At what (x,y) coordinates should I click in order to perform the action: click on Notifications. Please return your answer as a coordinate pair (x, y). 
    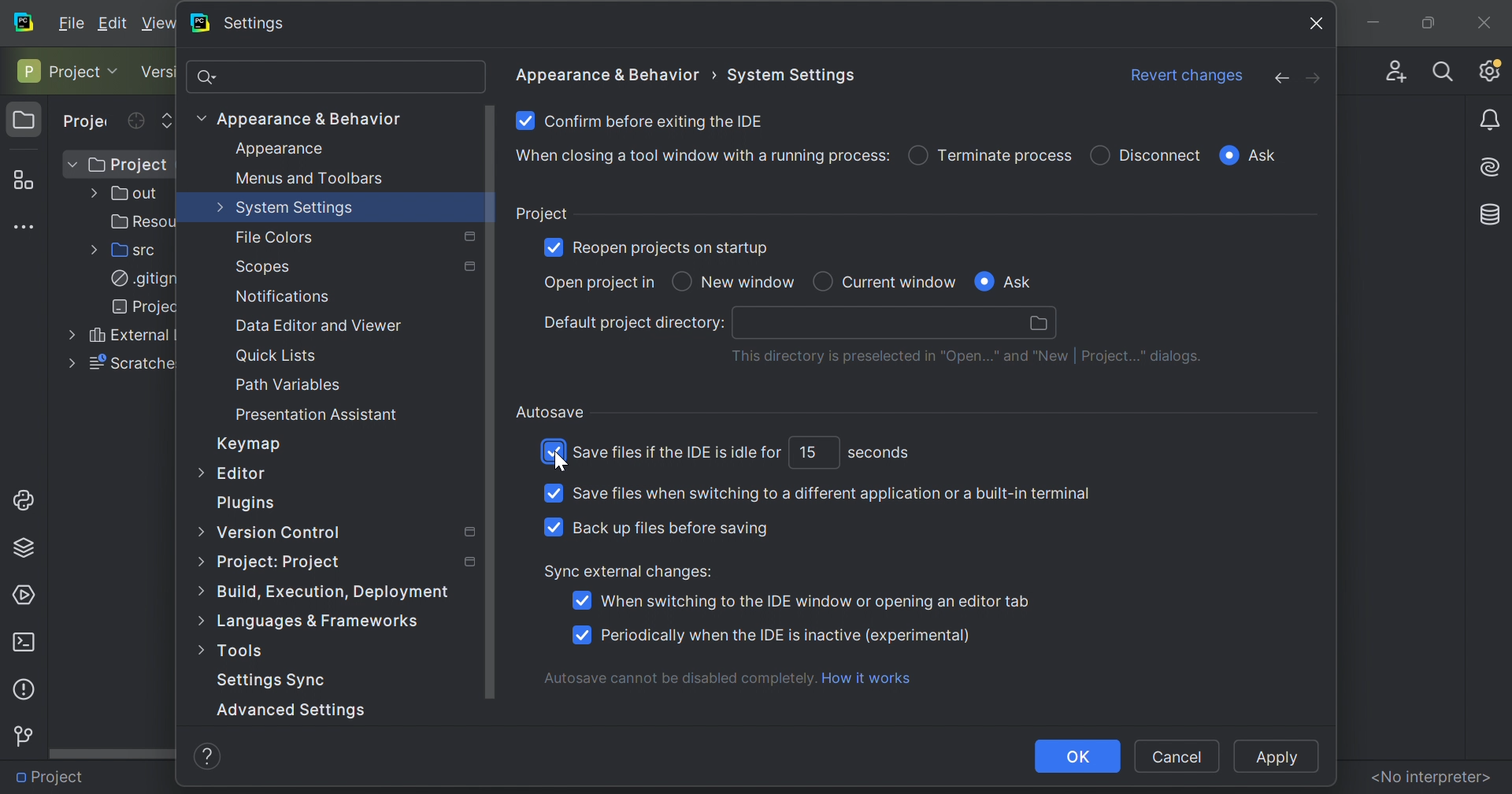
    Looking at the image, I should click on (1492, 121).